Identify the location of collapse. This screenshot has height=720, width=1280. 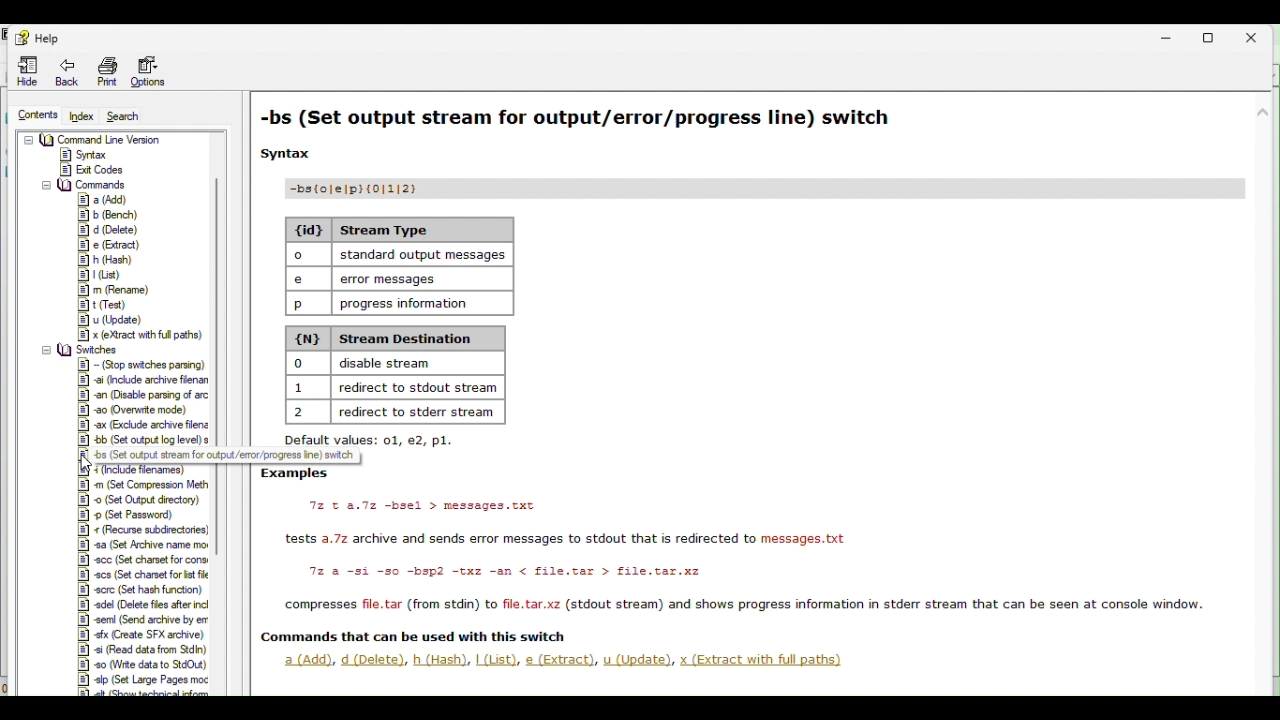
(45, 186).